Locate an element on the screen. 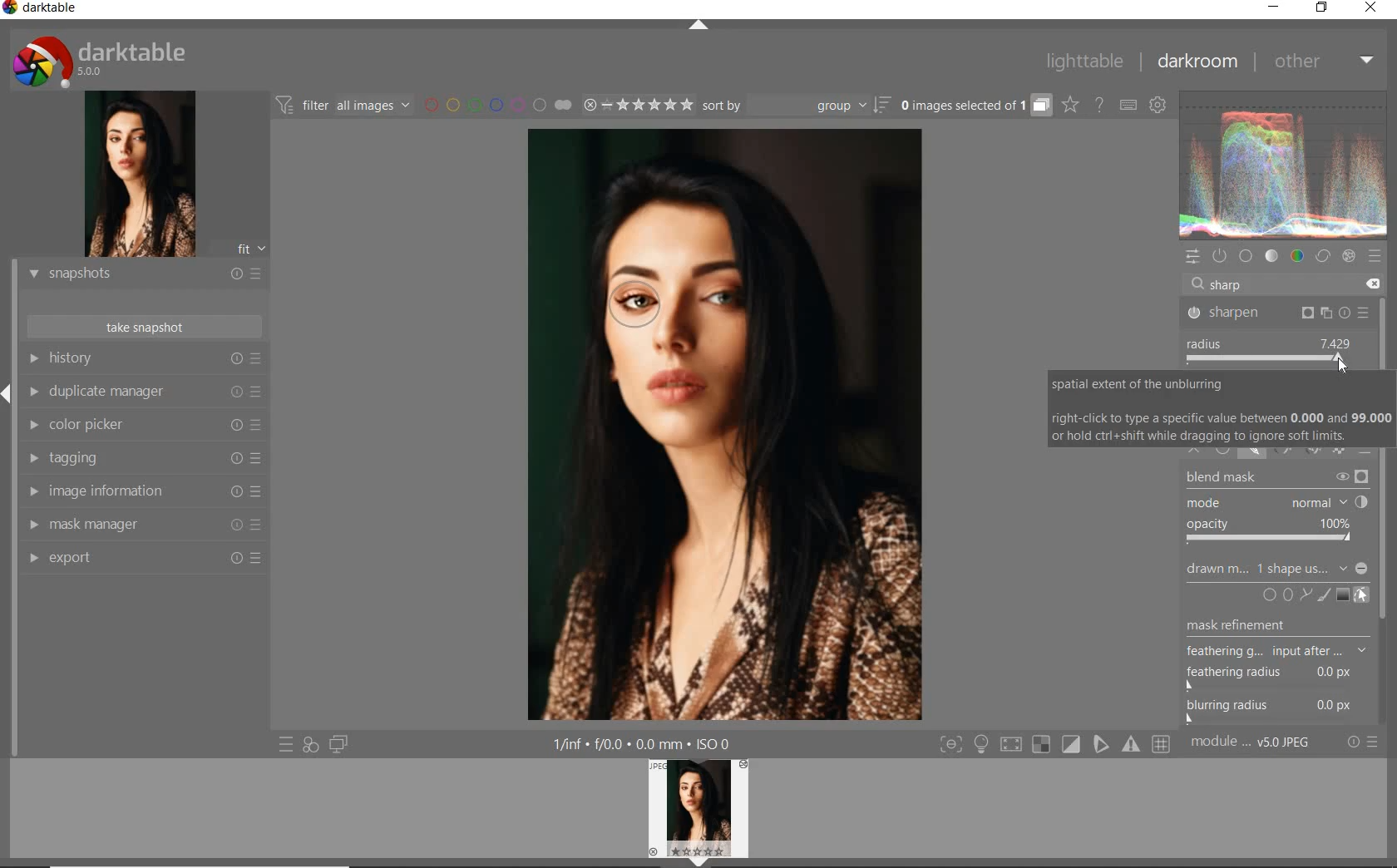  spatial extent of the unblurring
right-click to type a specific value between 0.000 and 99.000
or hold cirl+shift while dragging to ignore soft limits. is located at coordinates (1221, 409).